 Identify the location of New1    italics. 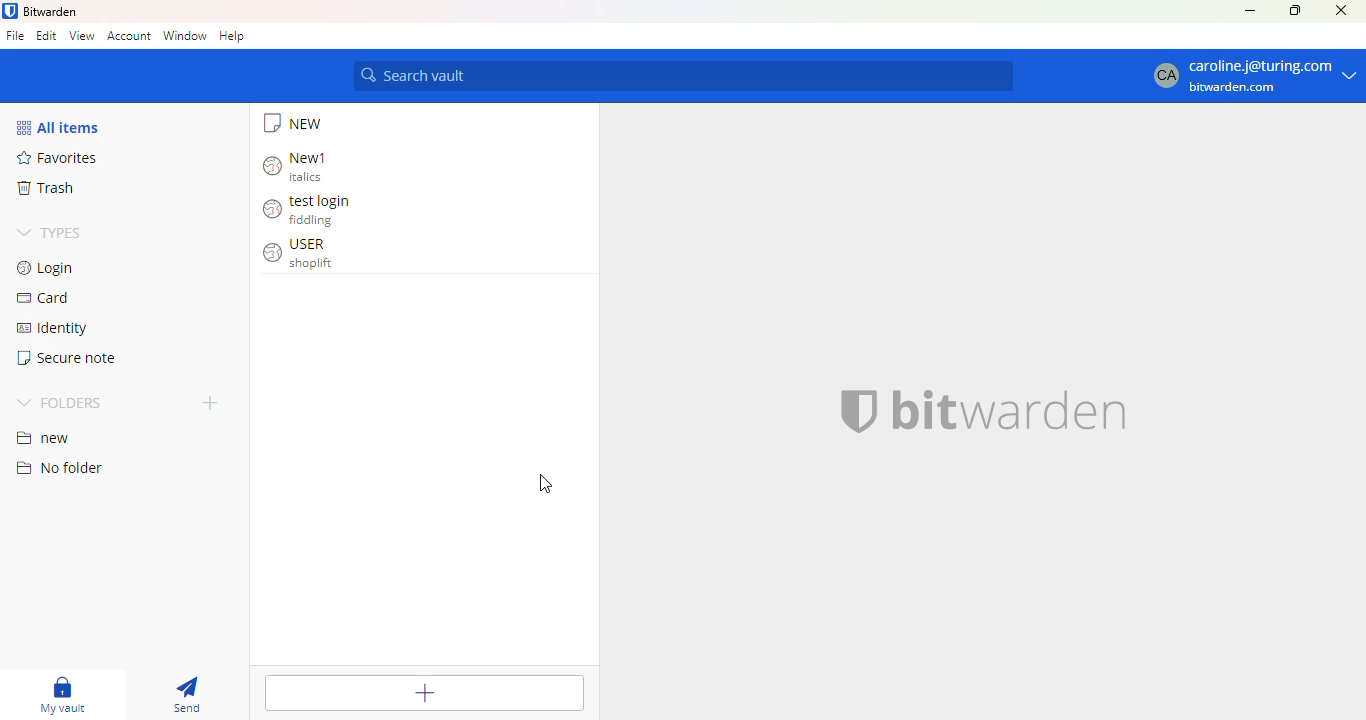
(298, 166).